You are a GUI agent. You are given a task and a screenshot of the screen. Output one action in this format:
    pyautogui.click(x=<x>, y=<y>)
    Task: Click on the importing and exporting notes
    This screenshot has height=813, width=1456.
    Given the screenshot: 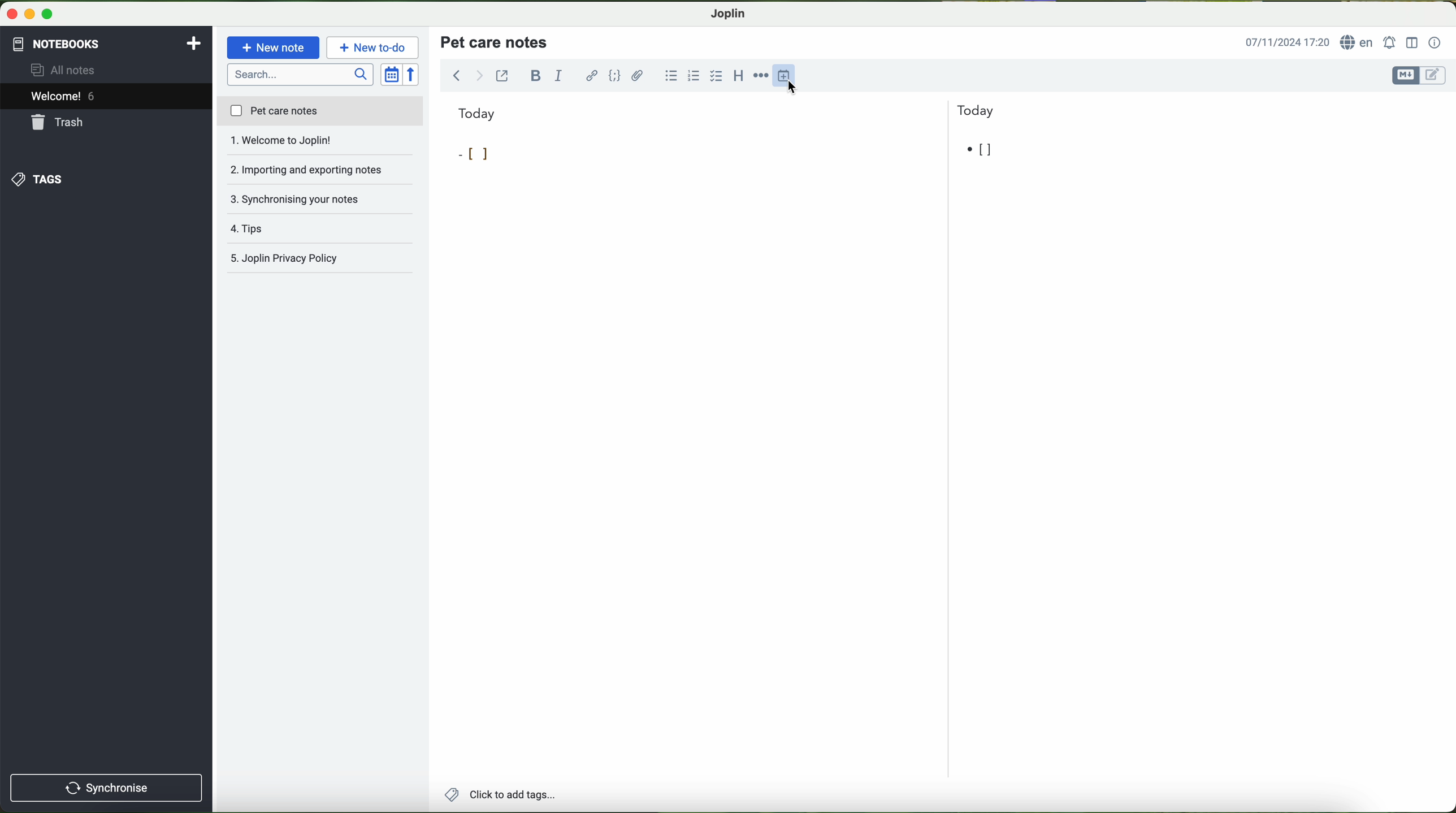 What is the action you would take?
    pyautogui.click(x=320, y=144)
    